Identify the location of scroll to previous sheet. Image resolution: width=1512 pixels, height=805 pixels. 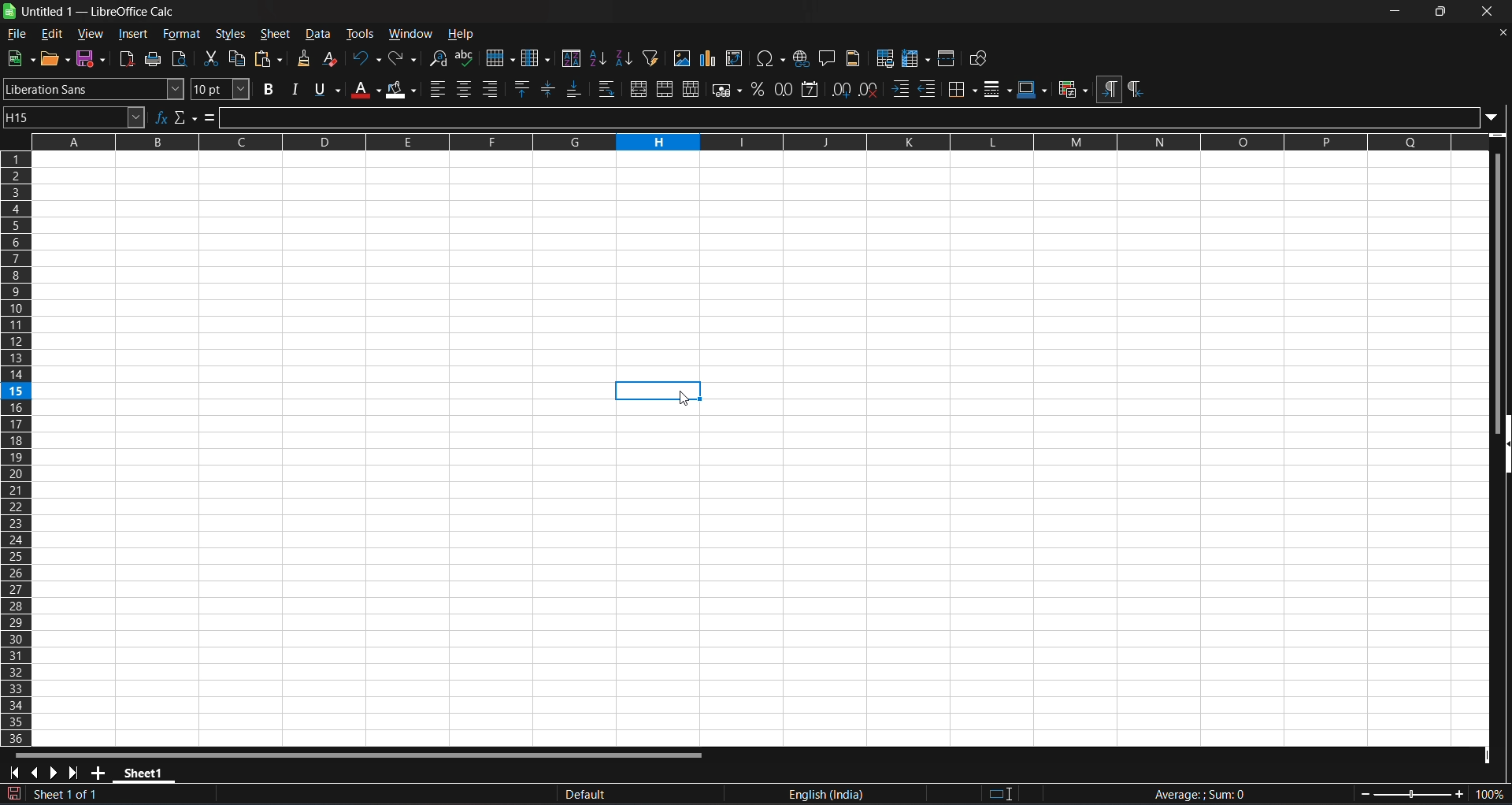
(38, 773).